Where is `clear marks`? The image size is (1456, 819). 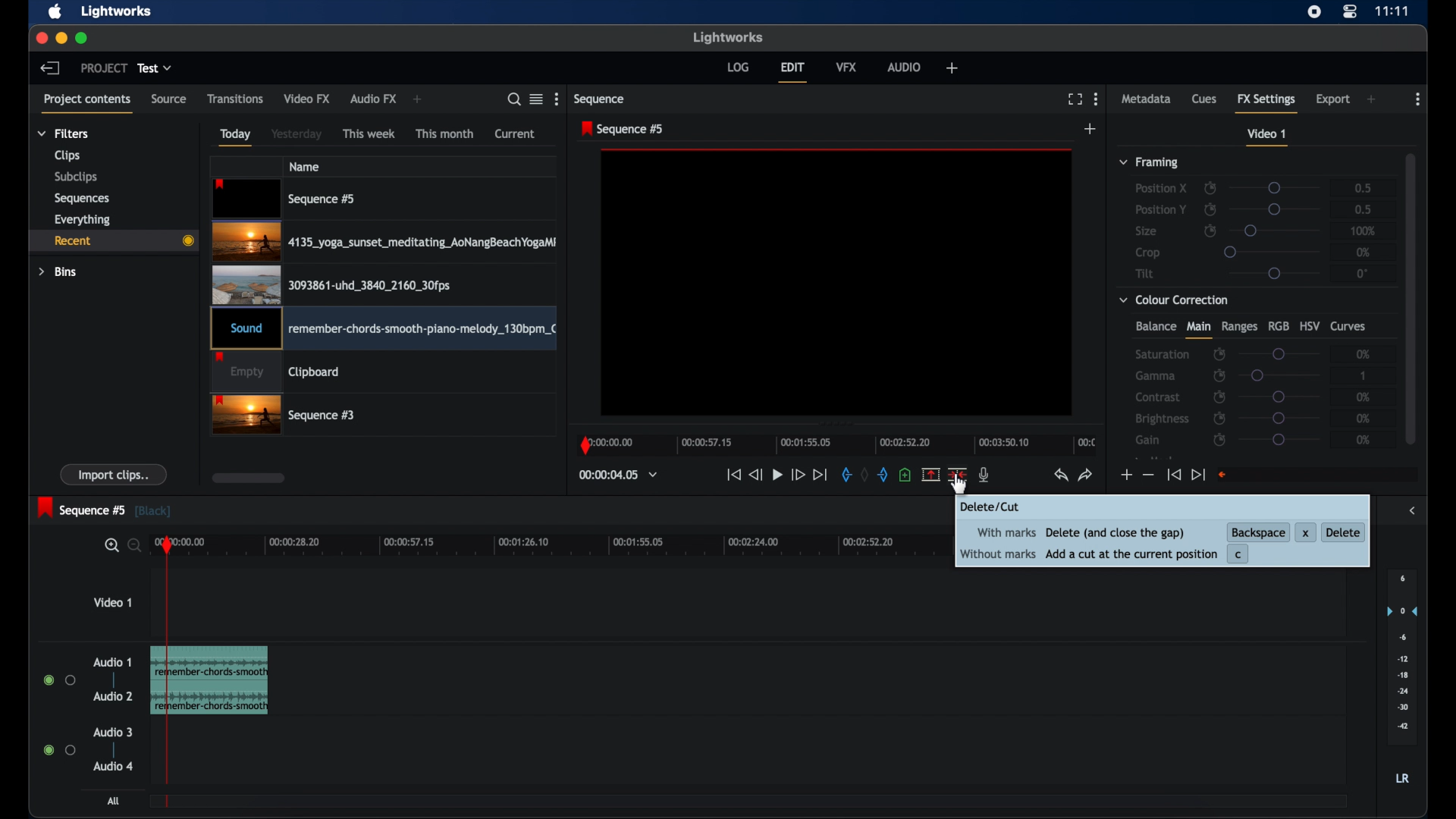
clear marks is located at coordinates (864, 475).